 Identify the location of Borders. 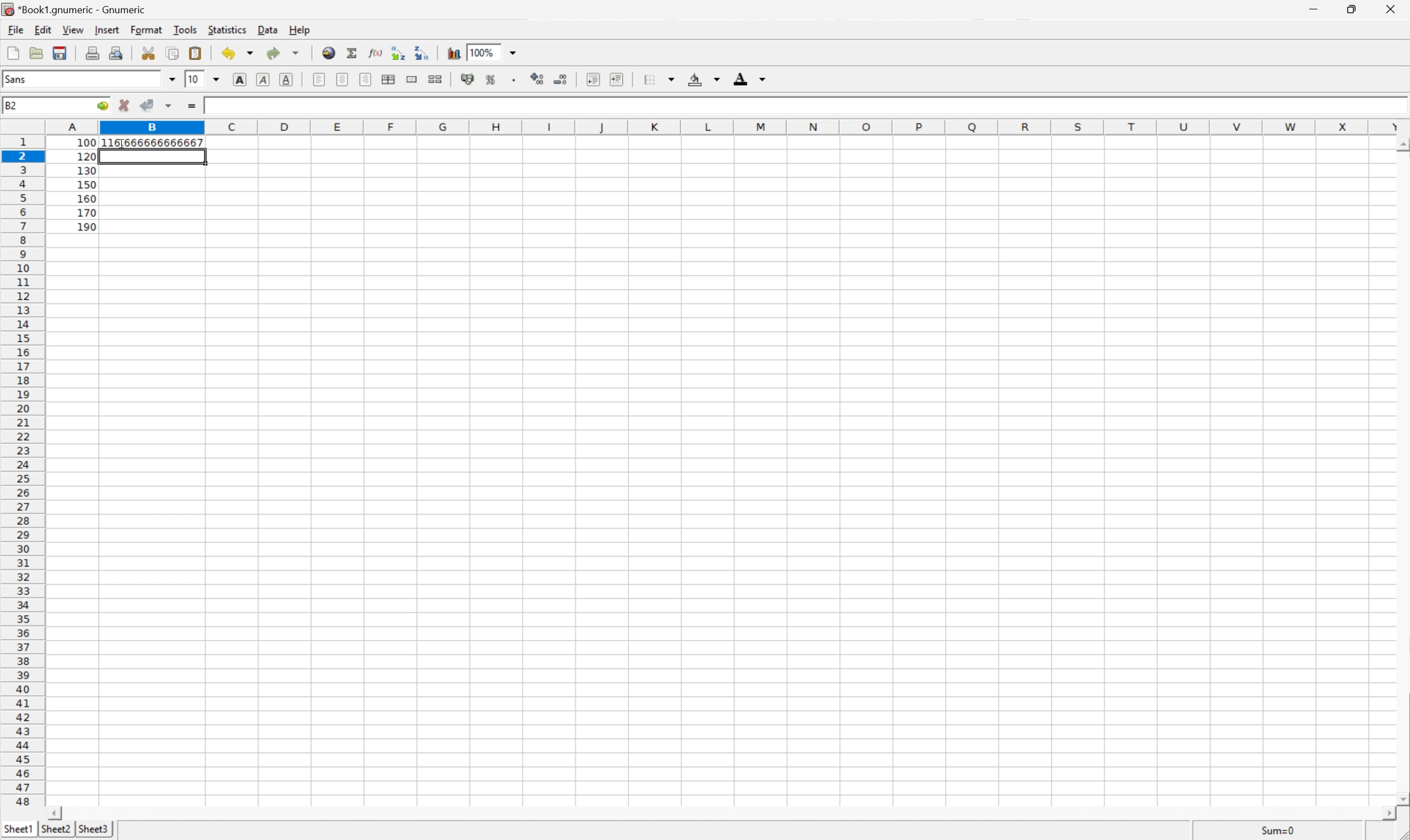
(657, 79).